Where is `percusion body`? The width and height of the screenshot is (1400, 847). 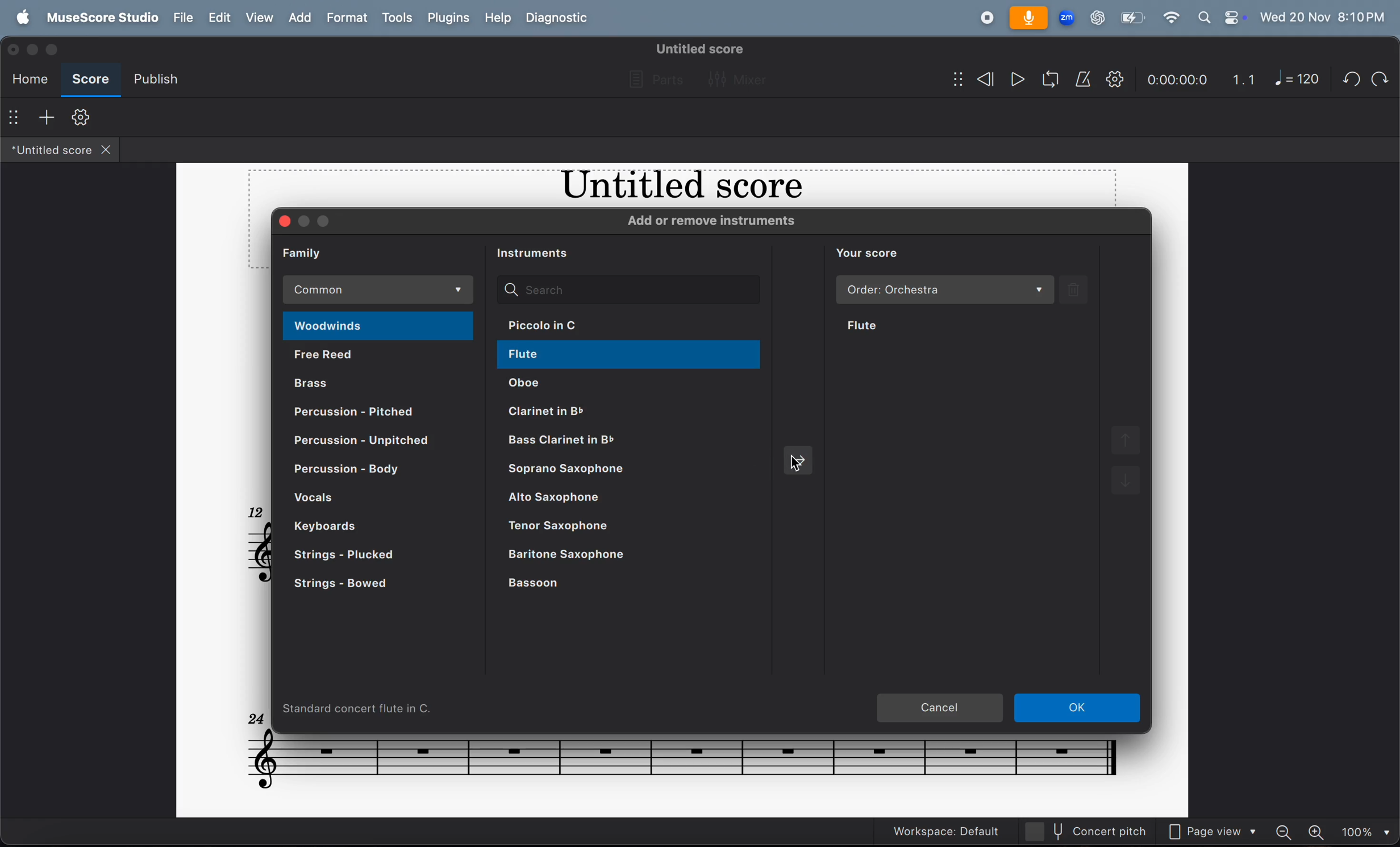 percusion body is located at coordinates (361, 474).